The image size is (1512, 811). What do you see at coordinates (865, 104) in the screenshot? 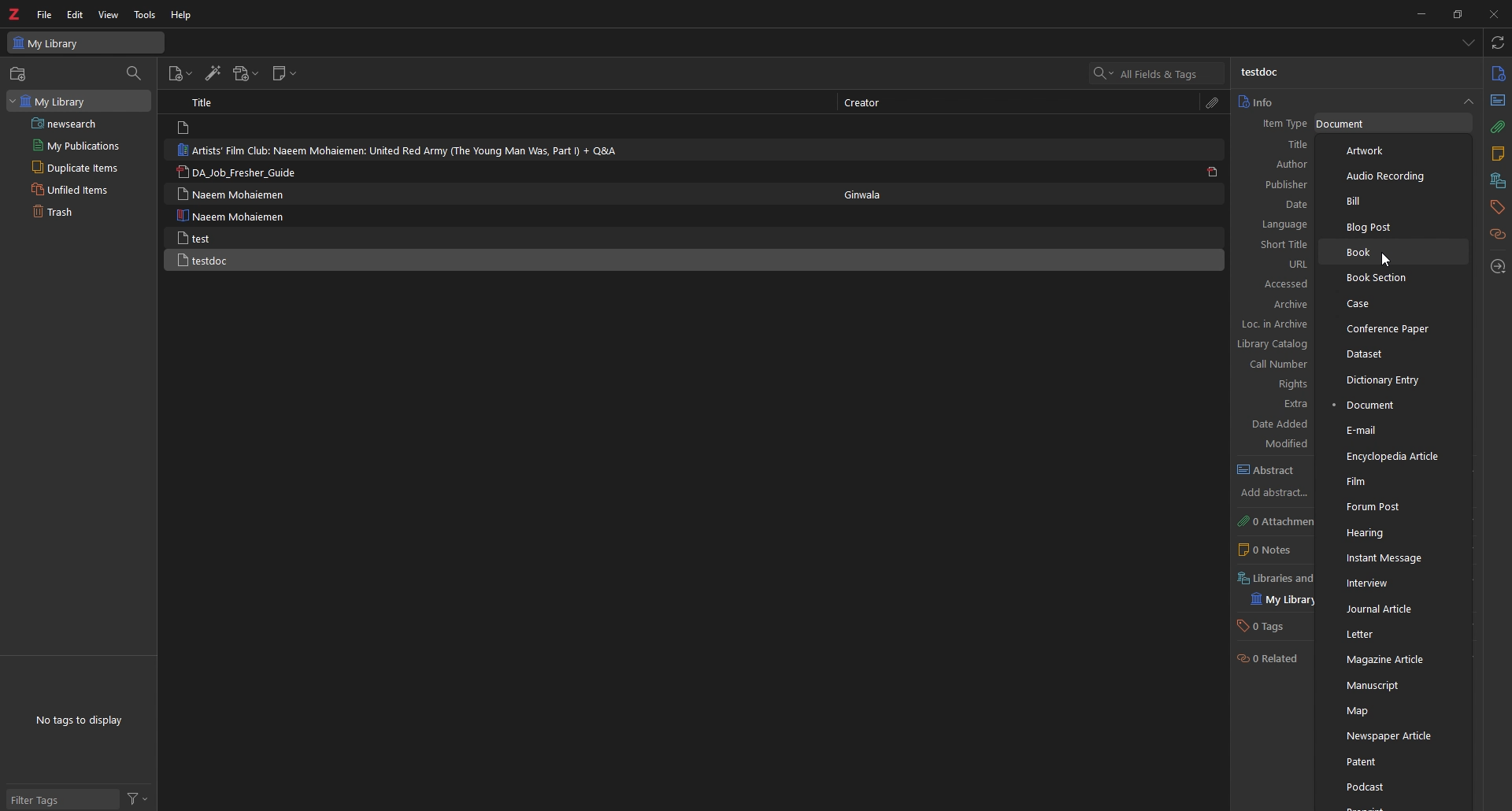
I see `Creator` at bounding box center [865, 104].